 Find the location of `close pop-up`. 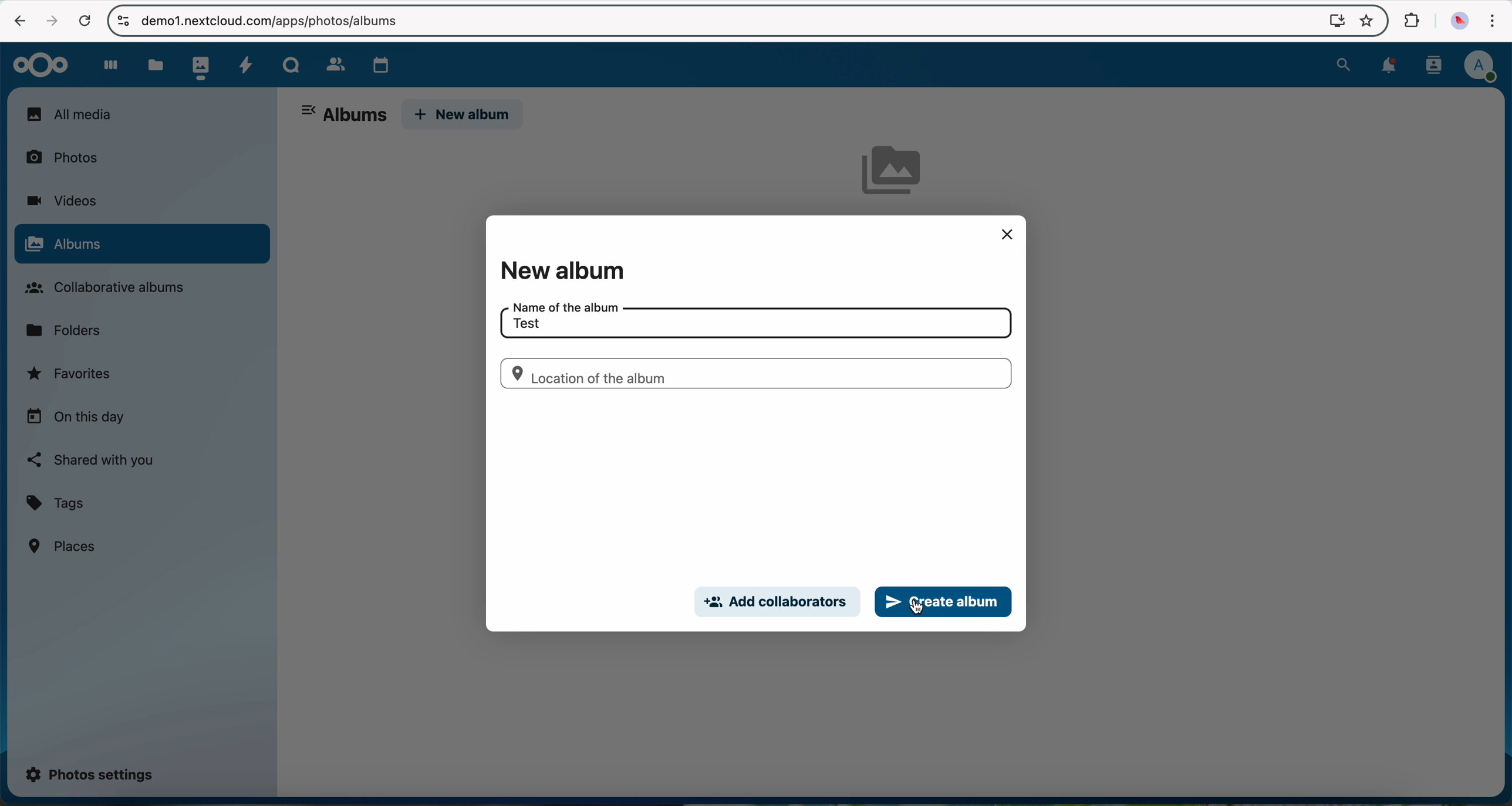

close pop-up is located at coordinates (1007, 234).